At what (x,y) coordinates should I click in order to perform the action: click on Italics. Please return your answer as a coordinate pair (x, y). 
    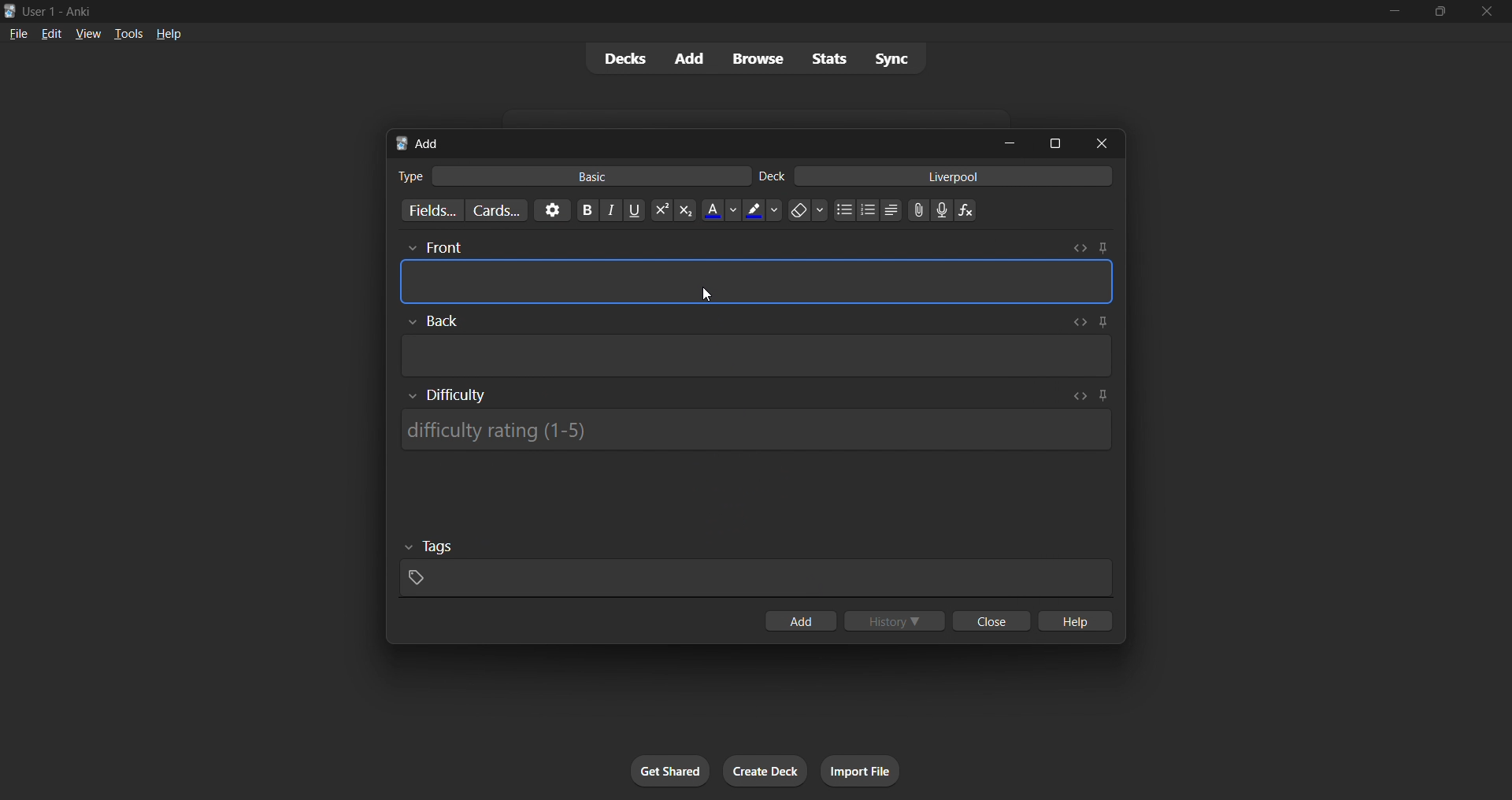
    Looking at the image, I should click on (611, 210).